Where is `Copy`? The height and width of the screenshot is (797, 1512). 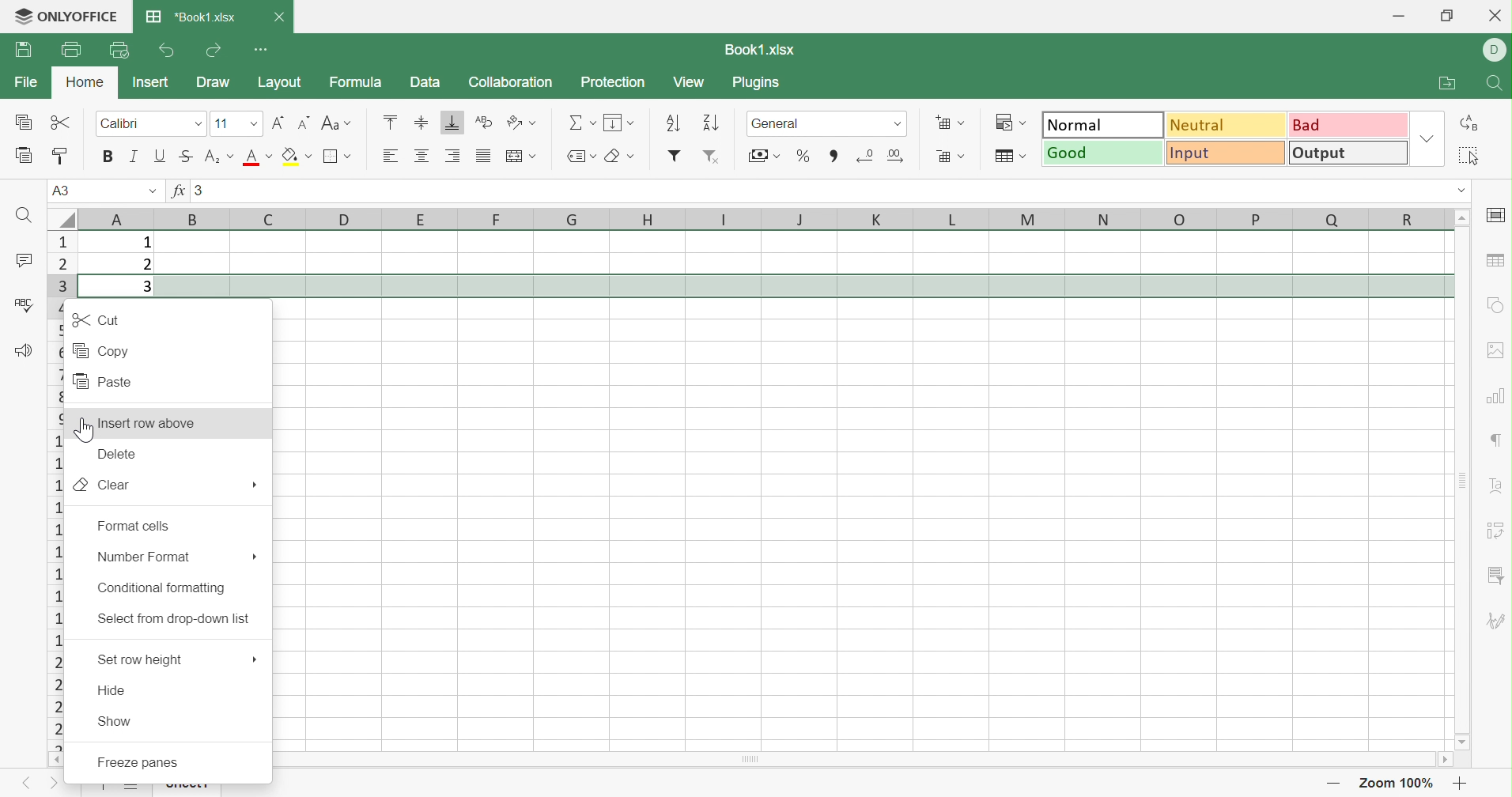 Copy is located at coordinates (25, 123).